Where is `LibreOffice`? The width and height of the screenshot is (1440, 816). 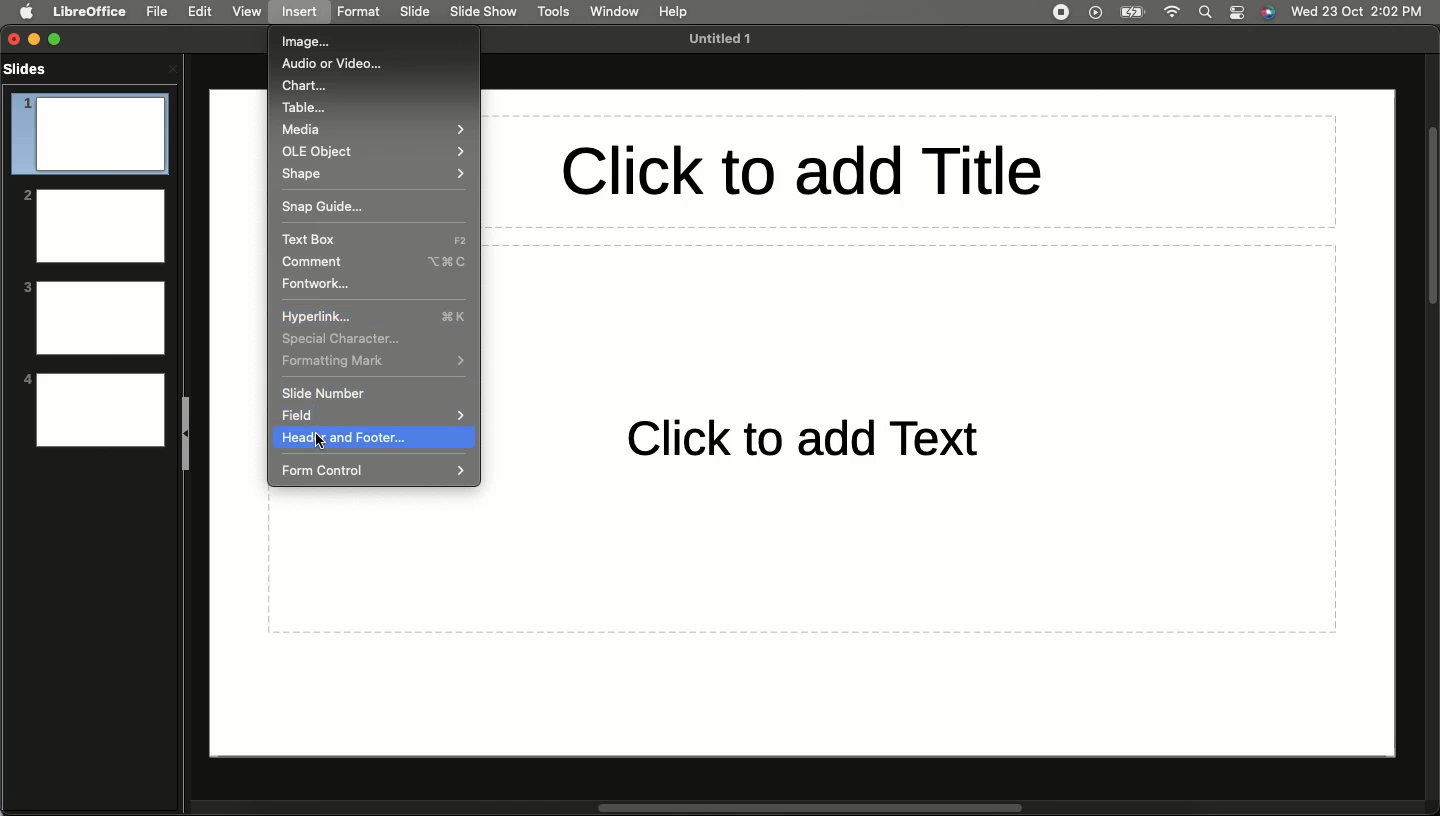 LibreOffice is located at coordinates (88, 11).